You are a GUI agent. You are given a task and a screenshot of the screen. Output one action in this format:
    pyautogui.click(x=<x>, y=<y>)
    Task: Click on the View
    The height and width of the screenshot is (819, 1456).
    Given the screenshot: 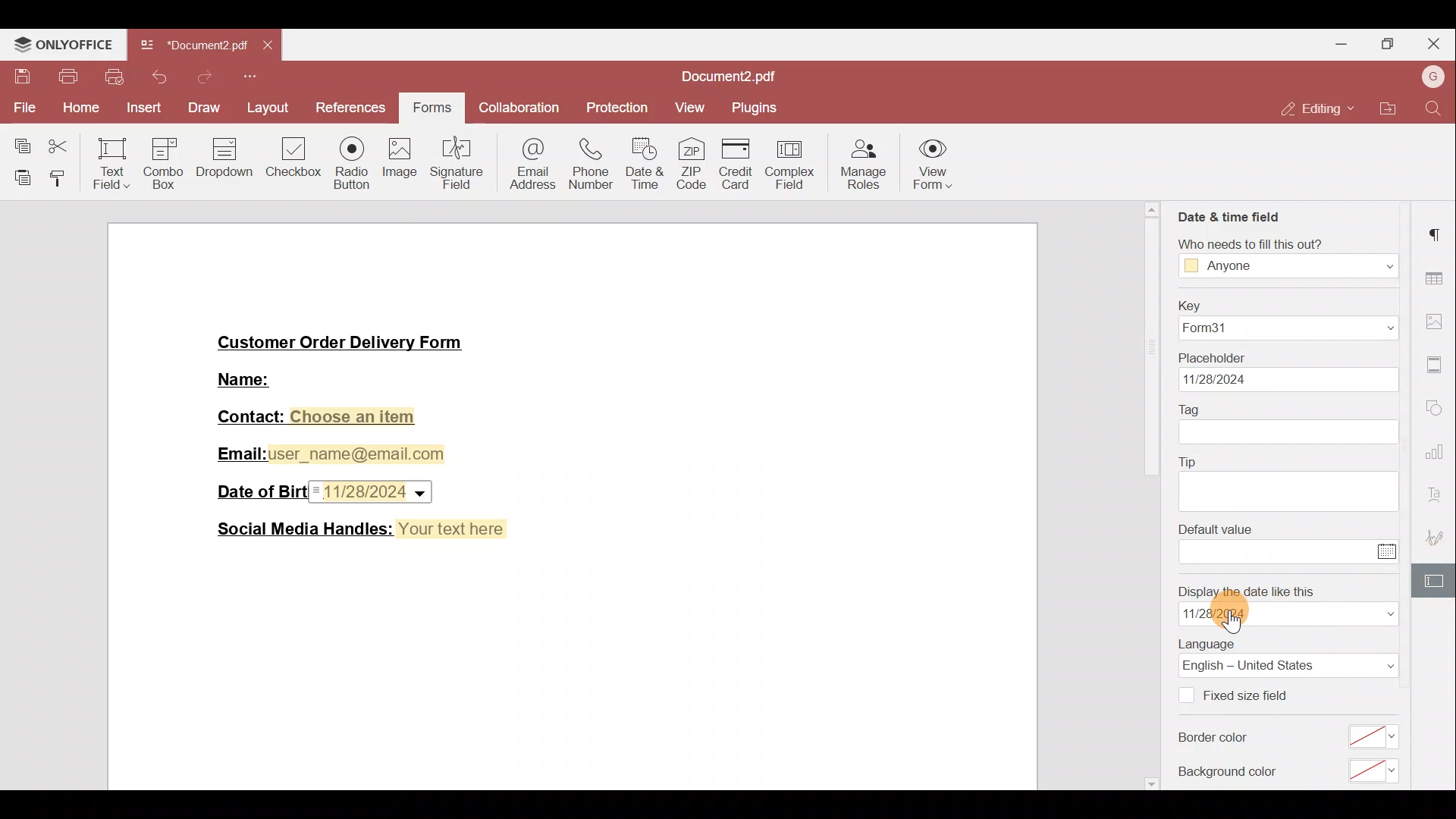 What is the action you would take?
    pyautogui.click(x=695, y=105)
    